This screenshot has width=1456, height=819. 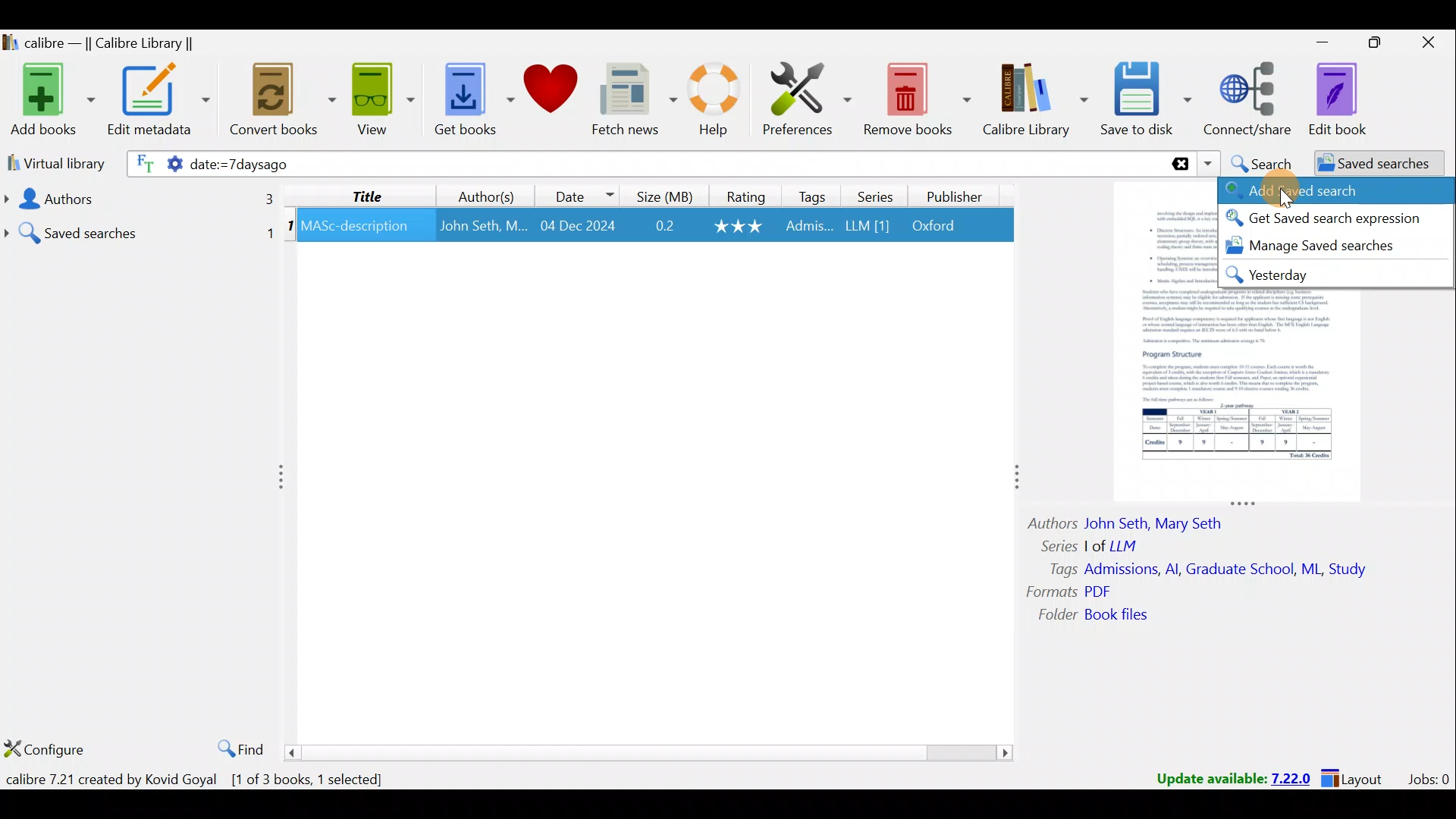 I want to click on Saved searches, so click(x=1369, y=164).